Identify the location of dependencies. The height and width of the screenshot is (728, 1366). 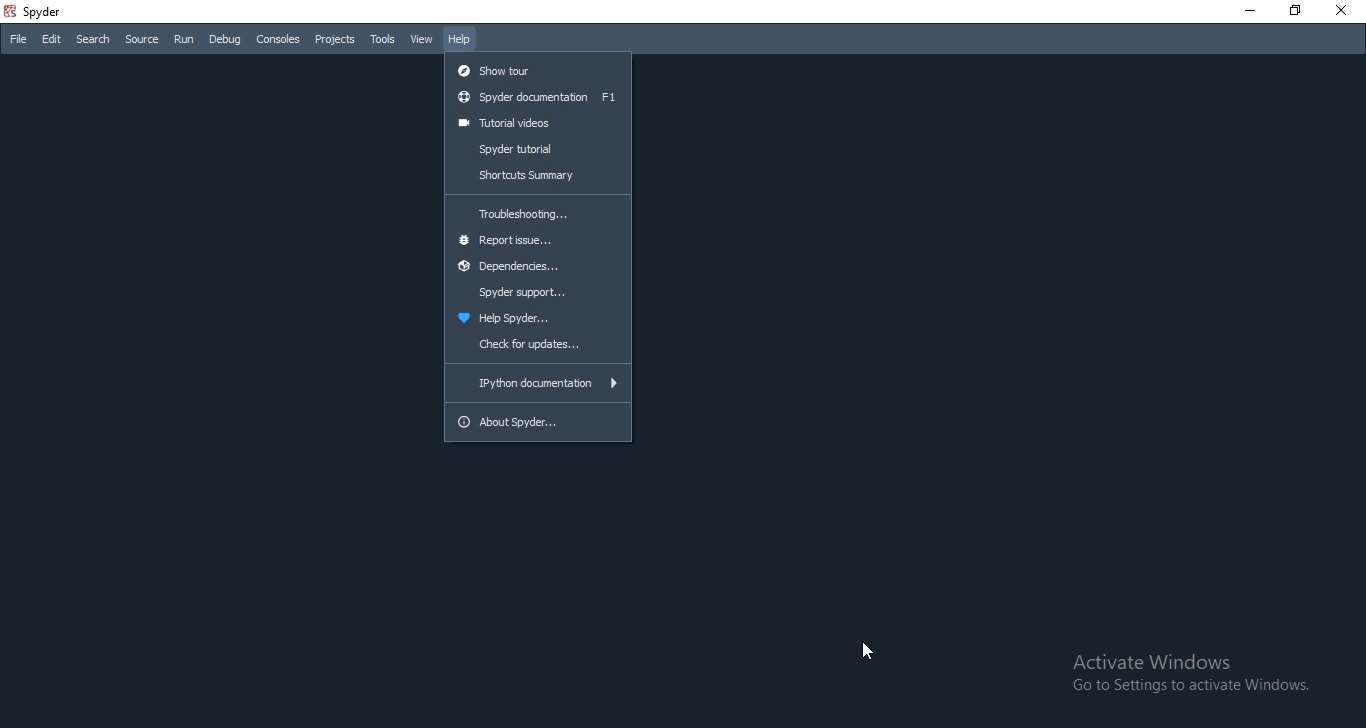
(536, 269).